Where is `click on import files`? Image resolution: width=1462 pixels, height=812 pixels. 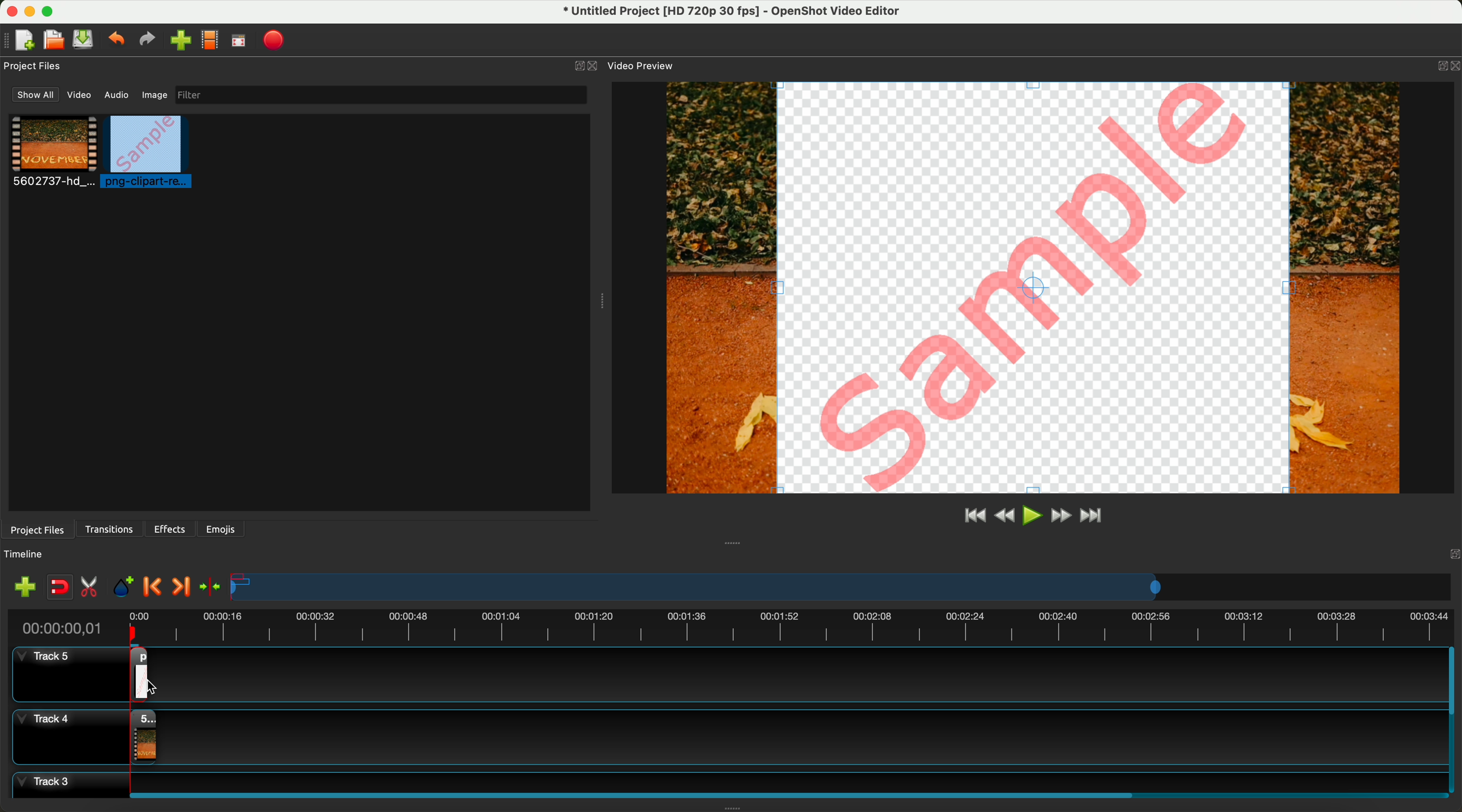 click on import files is located at coordinates (183, 41).